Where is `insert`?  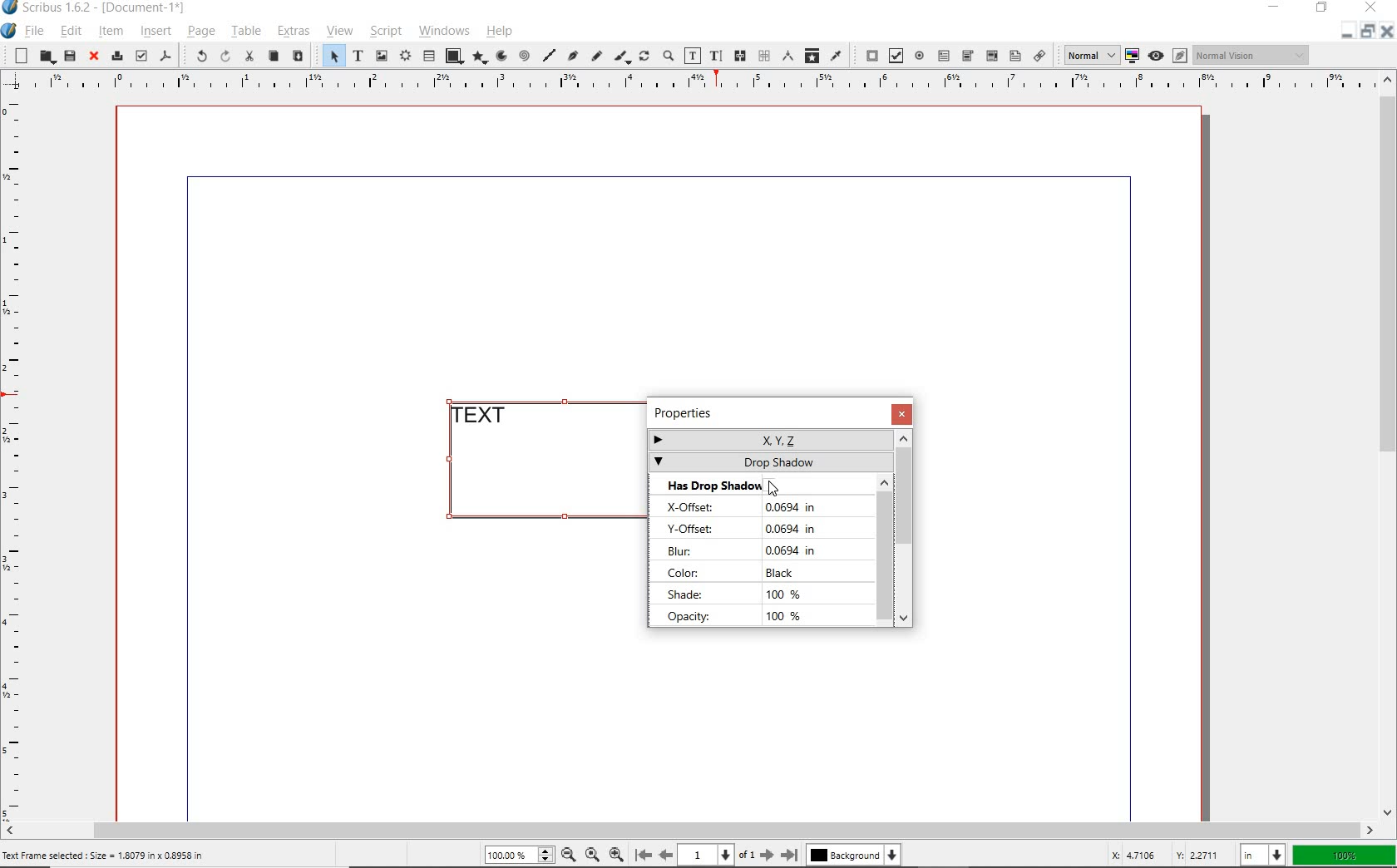
insert is located at coordinates (154, 31).